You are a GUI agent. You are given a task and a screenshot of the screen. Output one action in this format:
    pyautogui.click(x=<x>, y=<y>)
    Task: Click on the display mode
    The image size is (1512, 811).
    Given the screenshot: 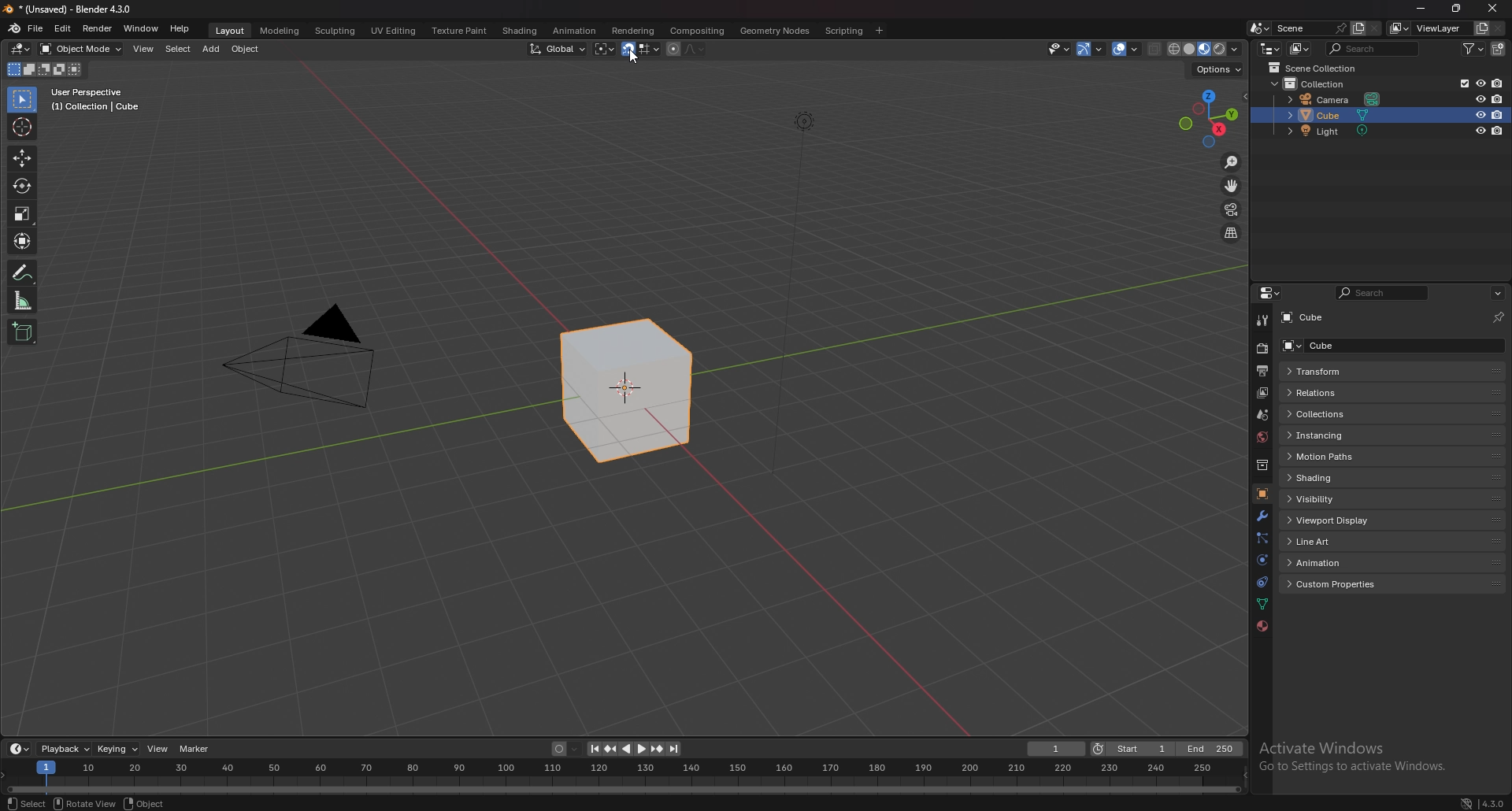 What is the action you would take?
    pyautogui.click(x=1299, y=48)
    